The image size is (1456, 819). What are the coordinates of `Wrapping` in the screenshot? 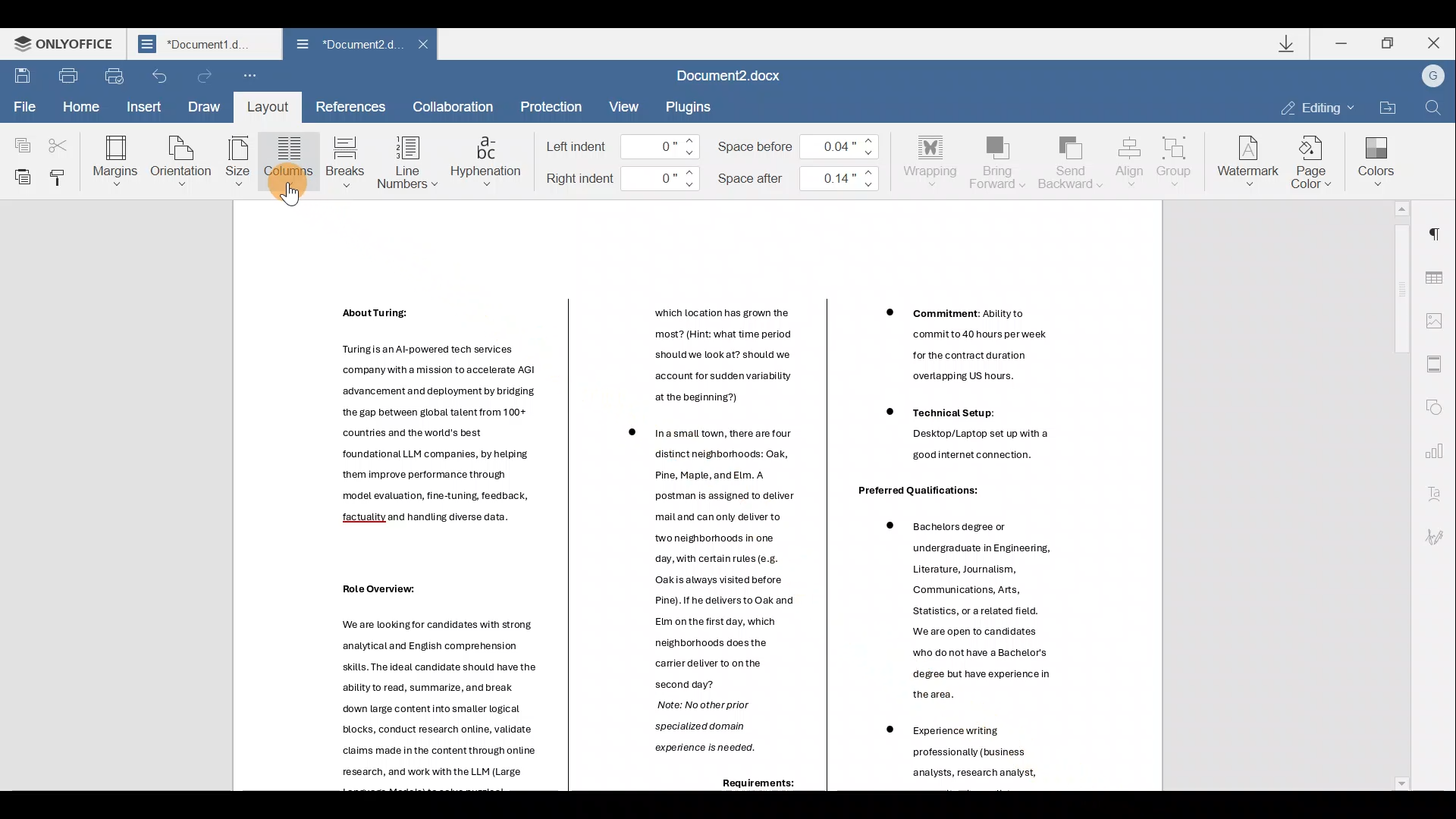 It's located at (934, 158).